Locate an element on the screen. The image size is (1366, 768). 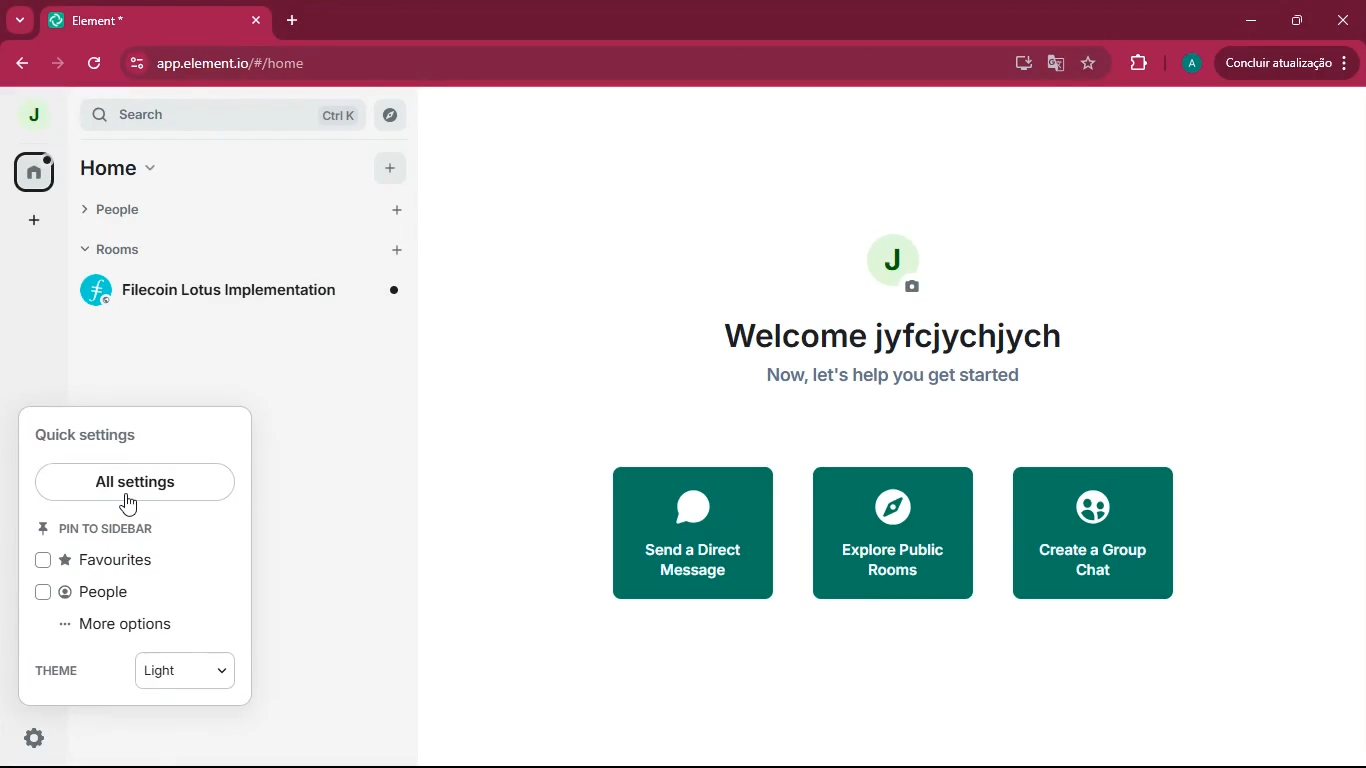
Light is located at coordinates (186, 672).